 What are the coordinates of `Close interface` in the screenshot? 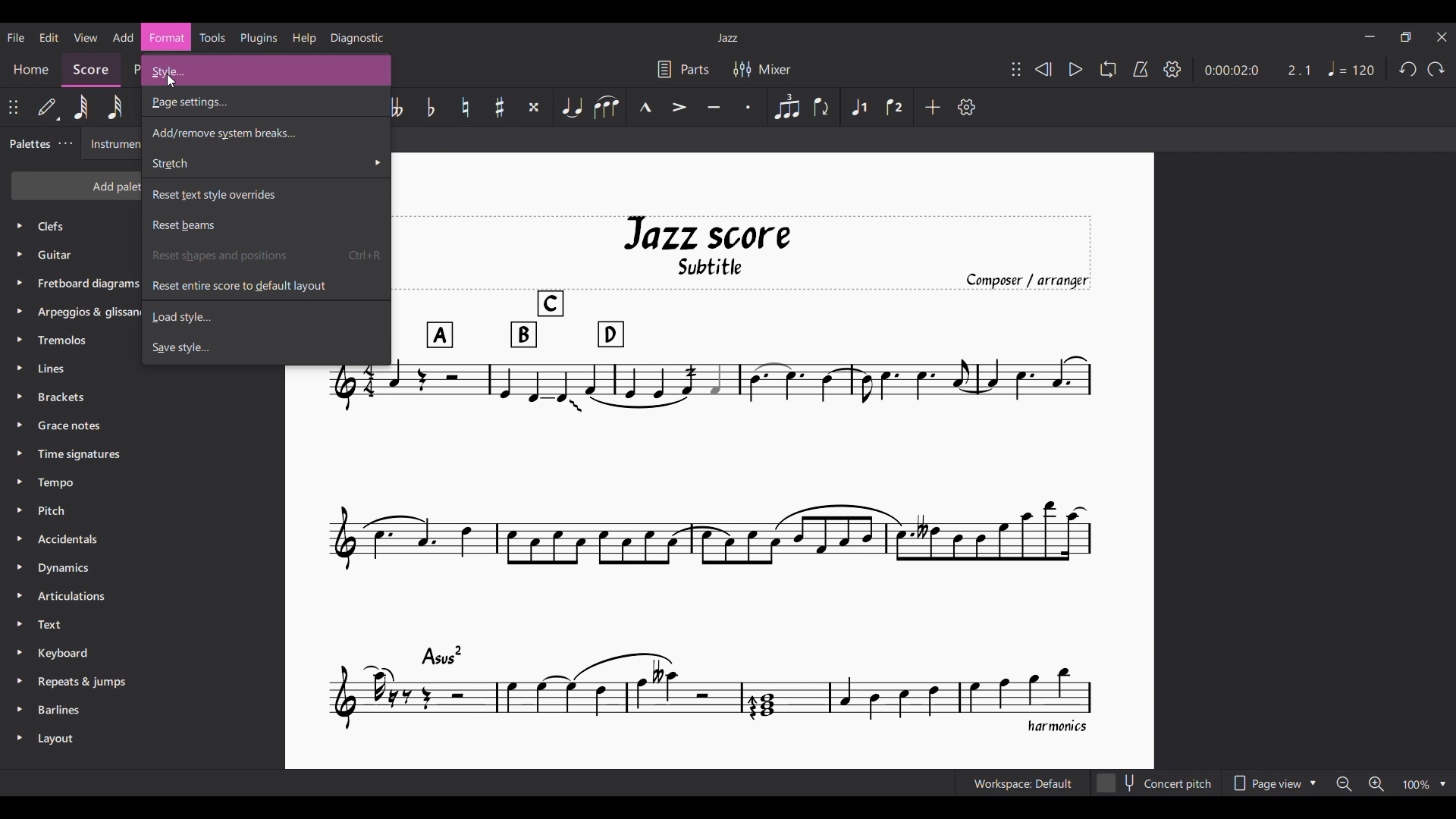 It's located at (1442, 37).